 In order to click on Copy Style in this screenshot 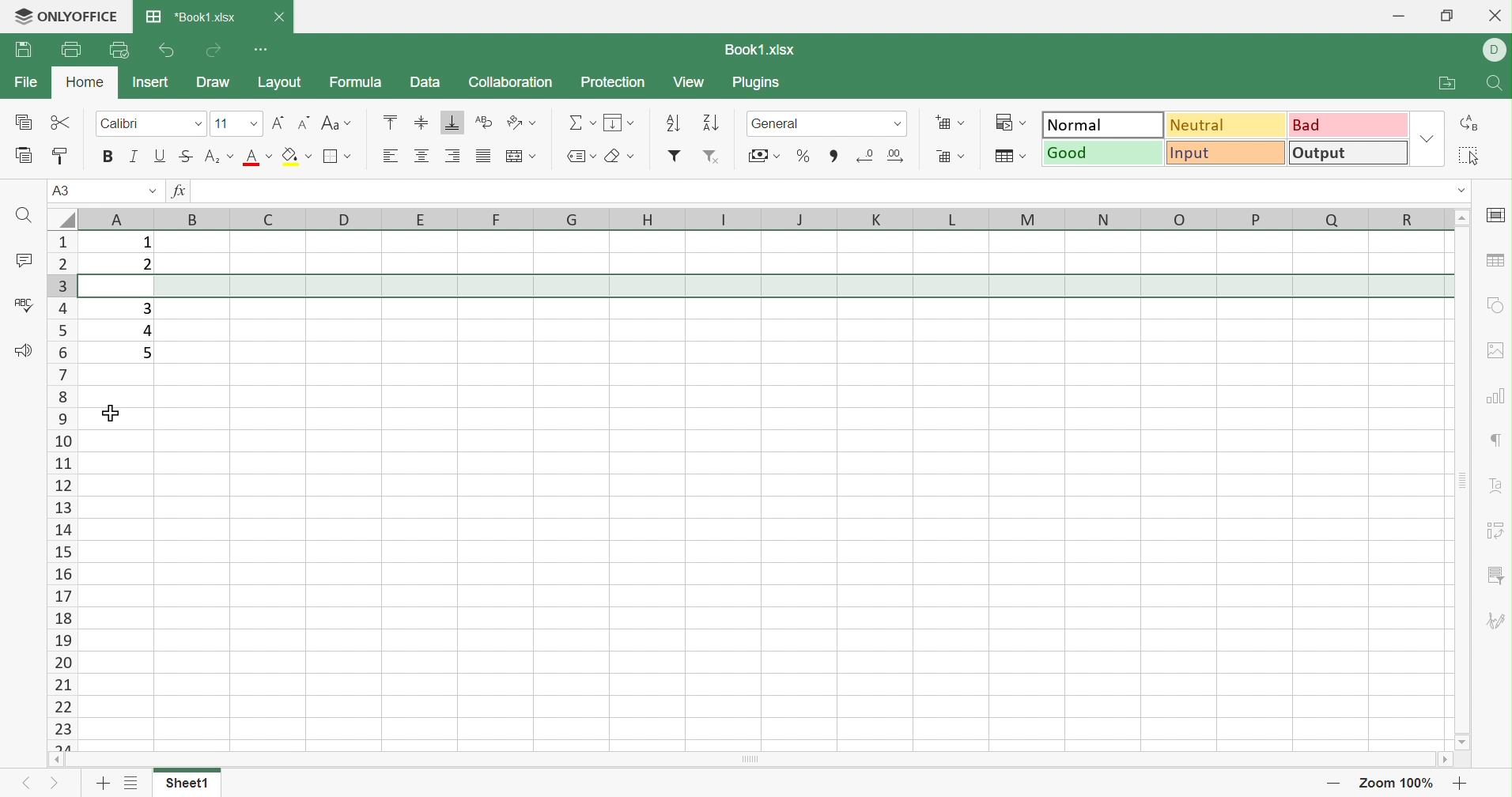, I will do `click(62, 156)`.